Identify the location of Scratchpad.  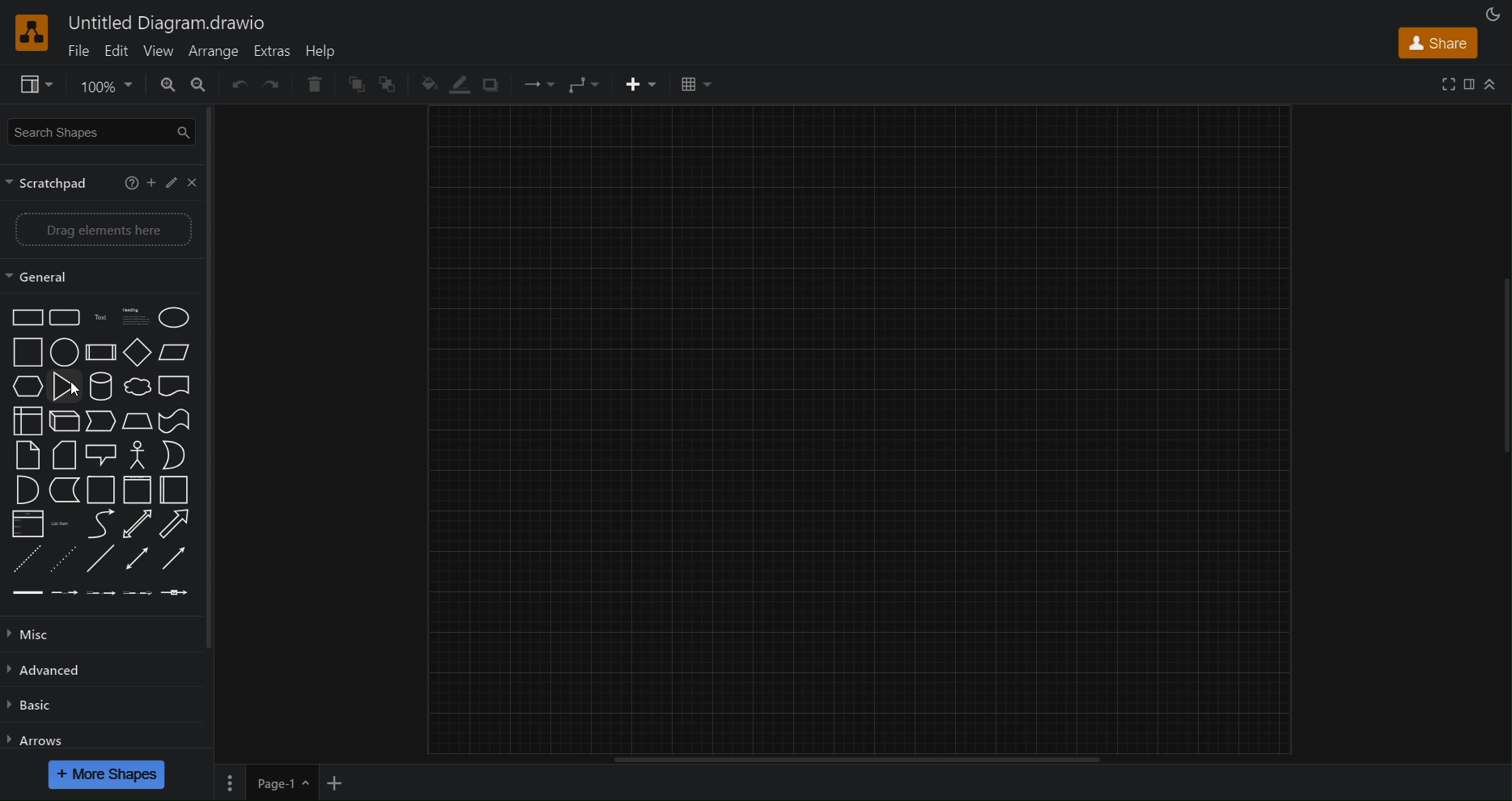
(106, 180).